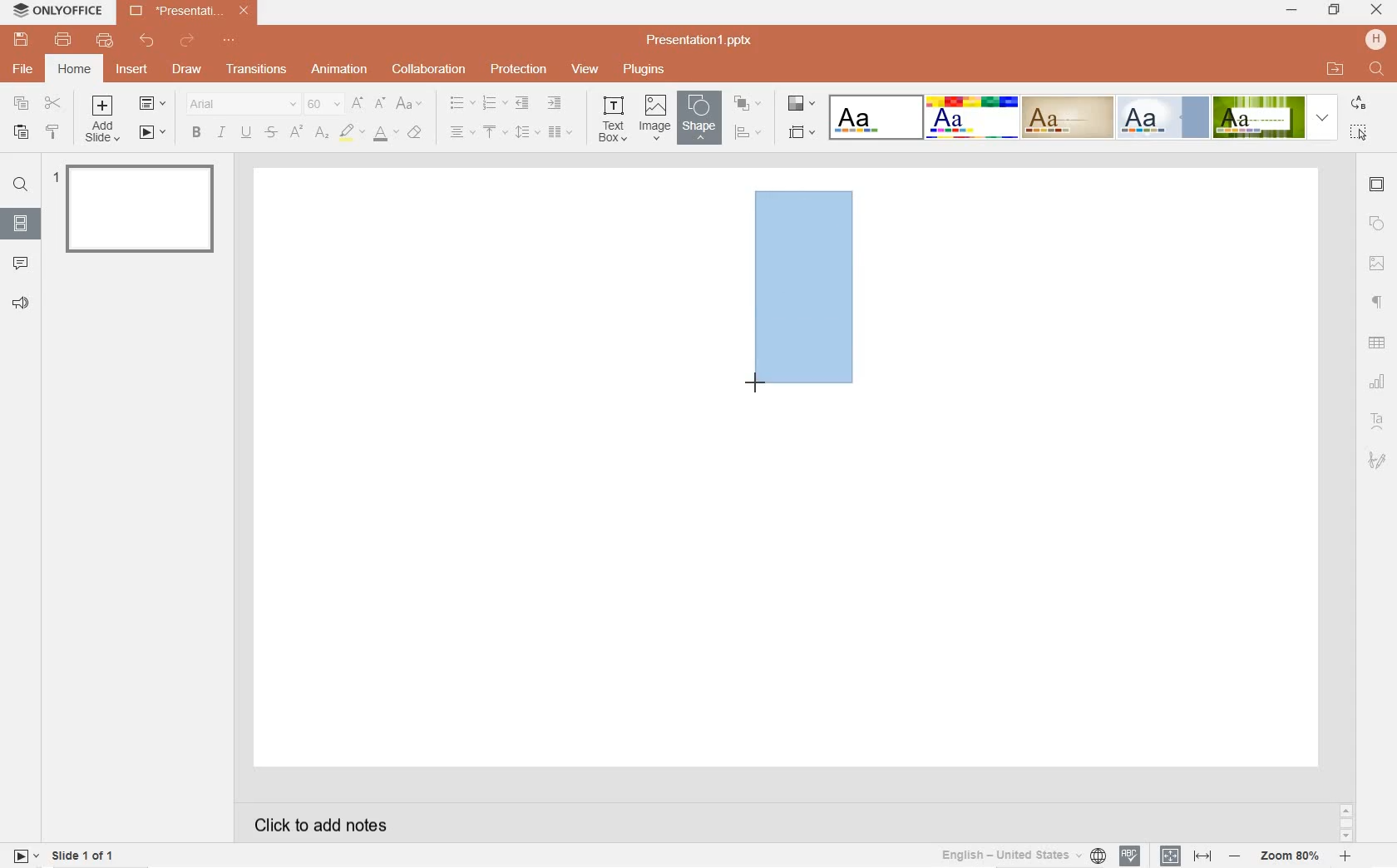 This screenshot has height=868, width=1397. I want to click on Presentation1.pptx, so click(702, 40).